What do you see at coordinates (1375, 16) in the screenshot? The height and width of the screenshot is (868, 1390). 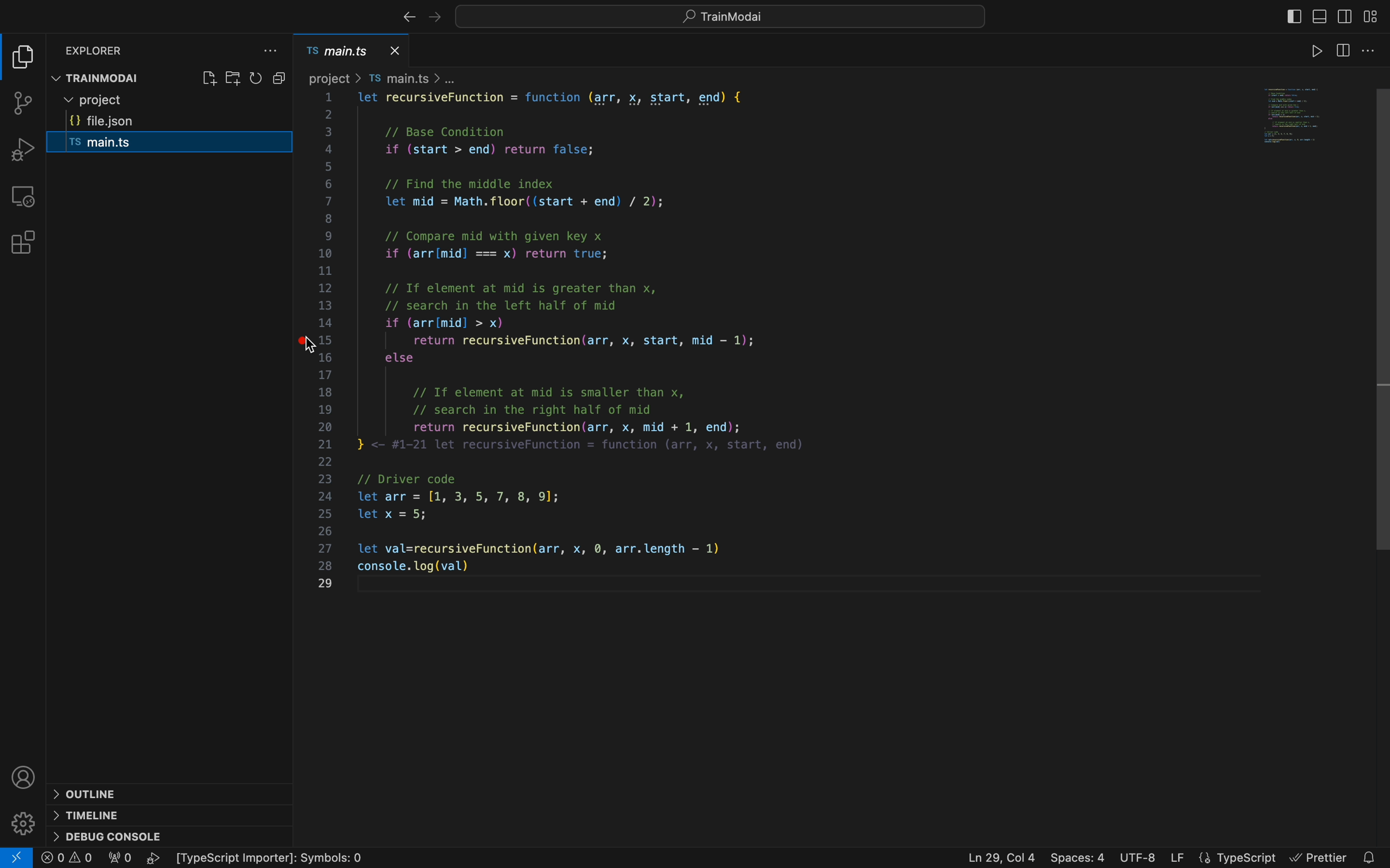 I see `layouts` at bounding box center [1375, 16].